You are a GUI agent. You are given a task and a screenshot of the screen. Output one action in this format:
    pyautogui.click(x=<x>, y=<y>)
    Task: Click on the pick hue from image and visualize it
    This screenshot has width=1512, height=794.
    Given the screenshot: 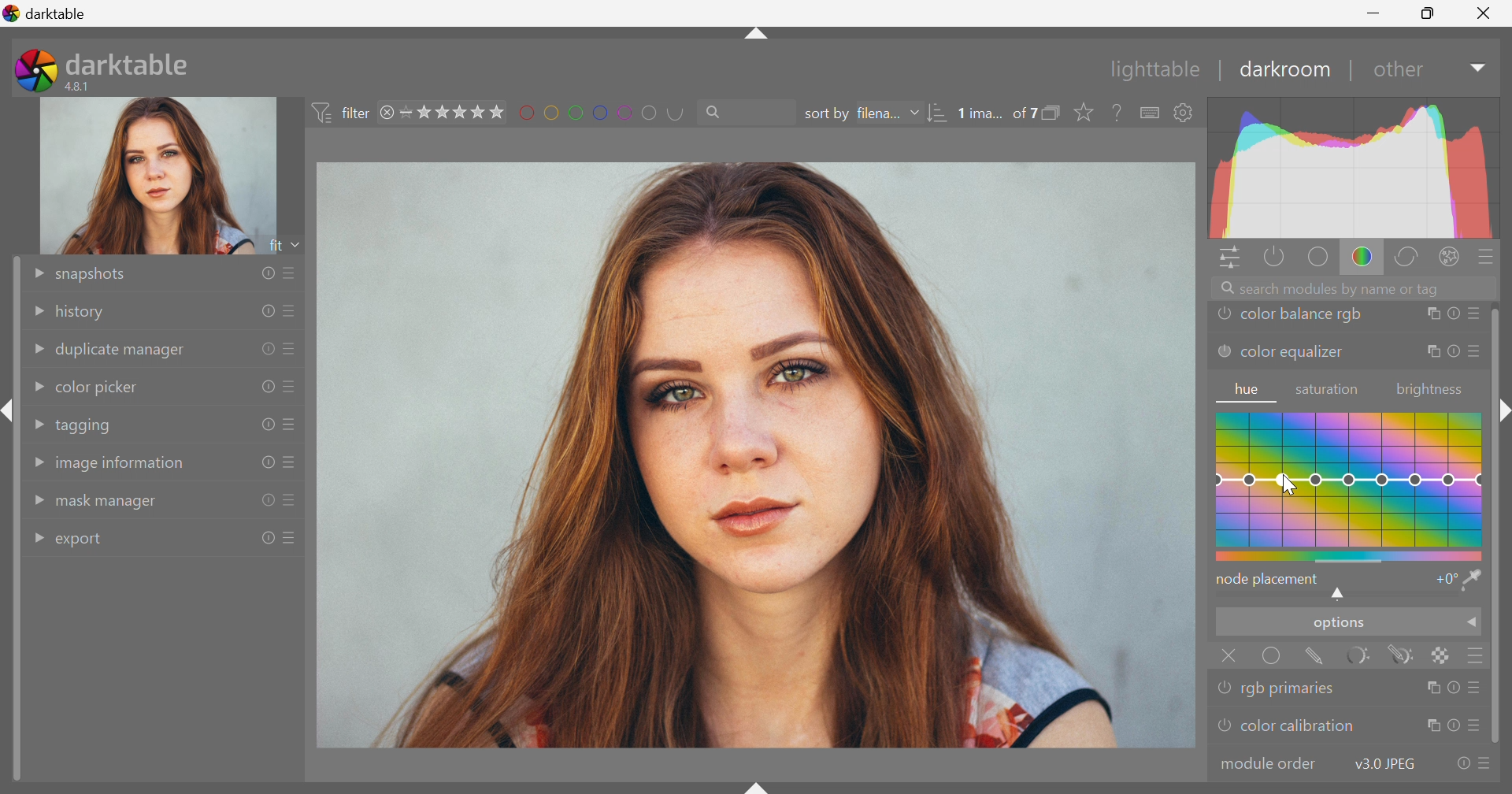 What is the action you would take?
    pyautogui.click(x=1473, y=580)
    